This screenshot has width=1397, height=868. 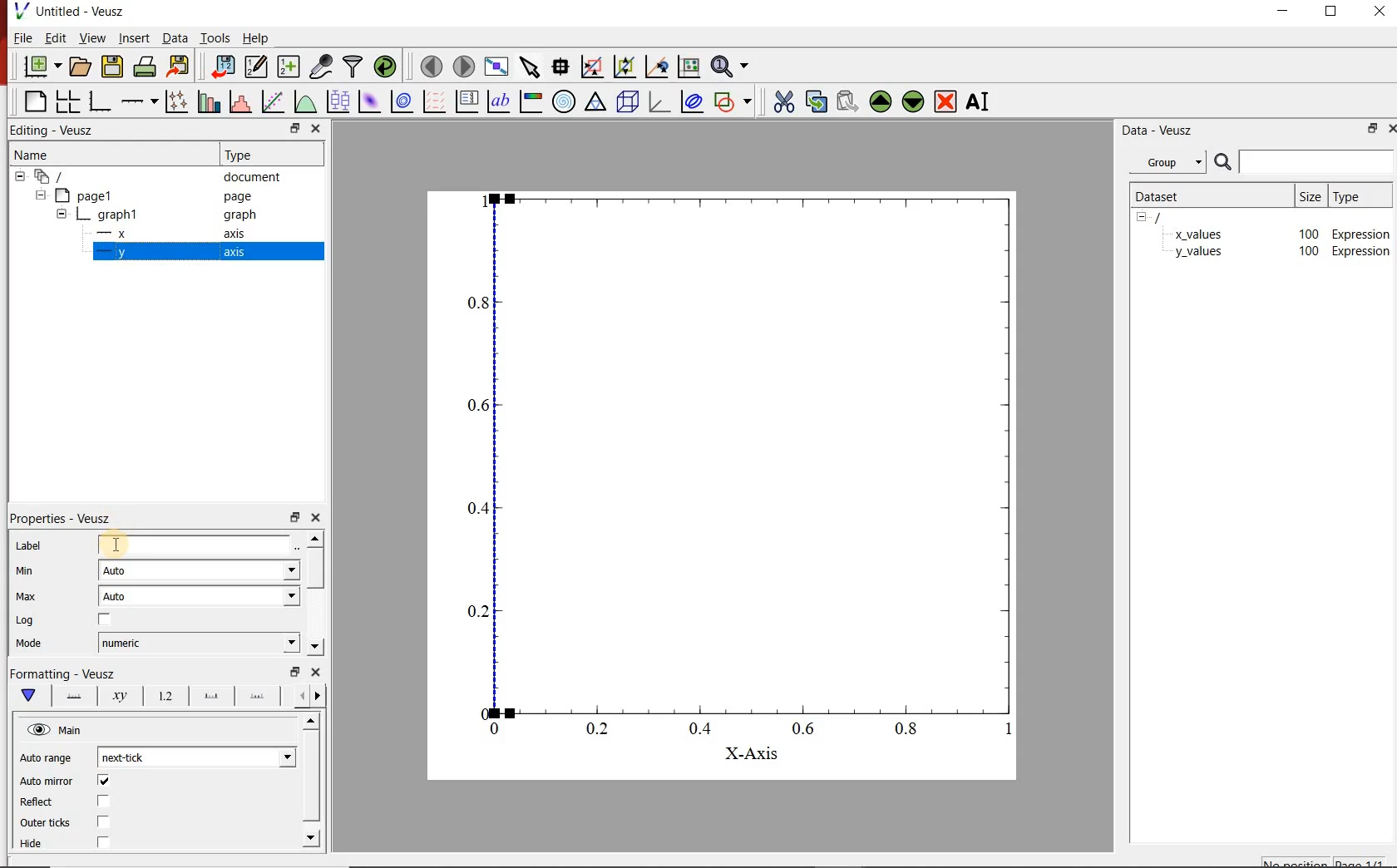 What do you see at coordinates (1158, 132) in the screenshot?
I see `data-veusz` at bounding box center [1158, 132].